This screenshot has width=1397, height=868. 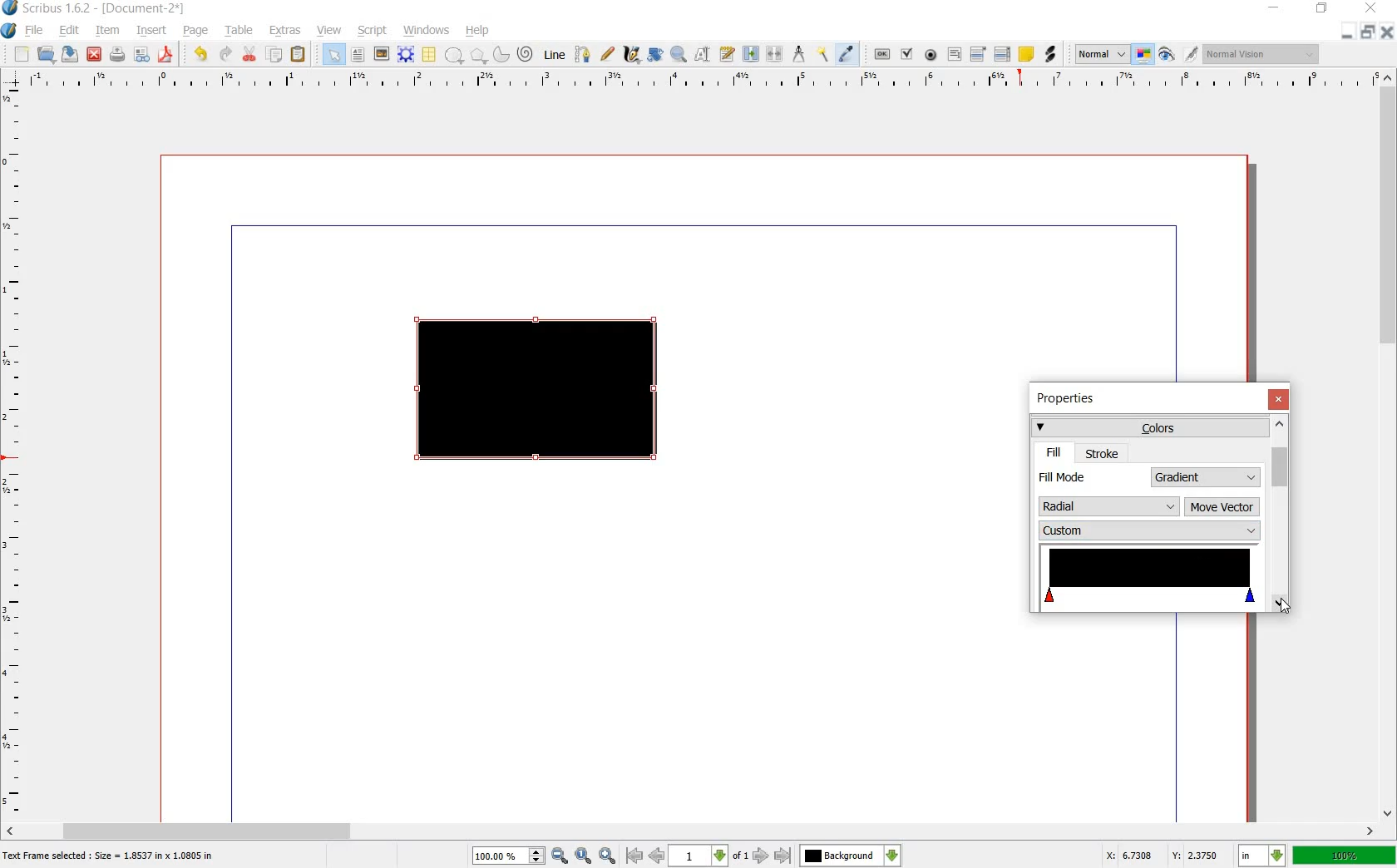 I want to click on cursor, so click(x=1286, y=607).